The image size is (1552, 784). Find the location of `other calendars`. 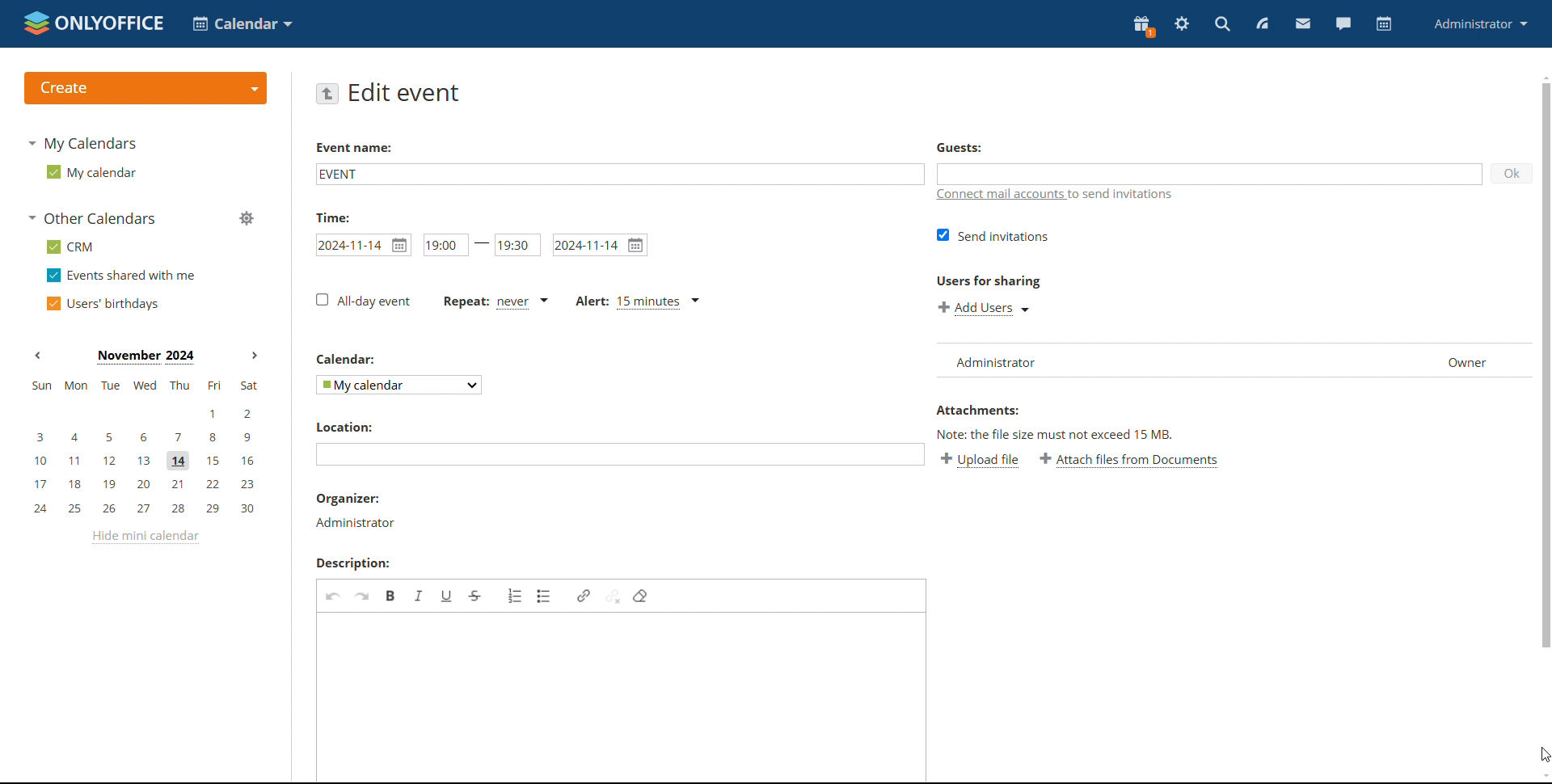

other calendars is located at coordinates (92, 218).